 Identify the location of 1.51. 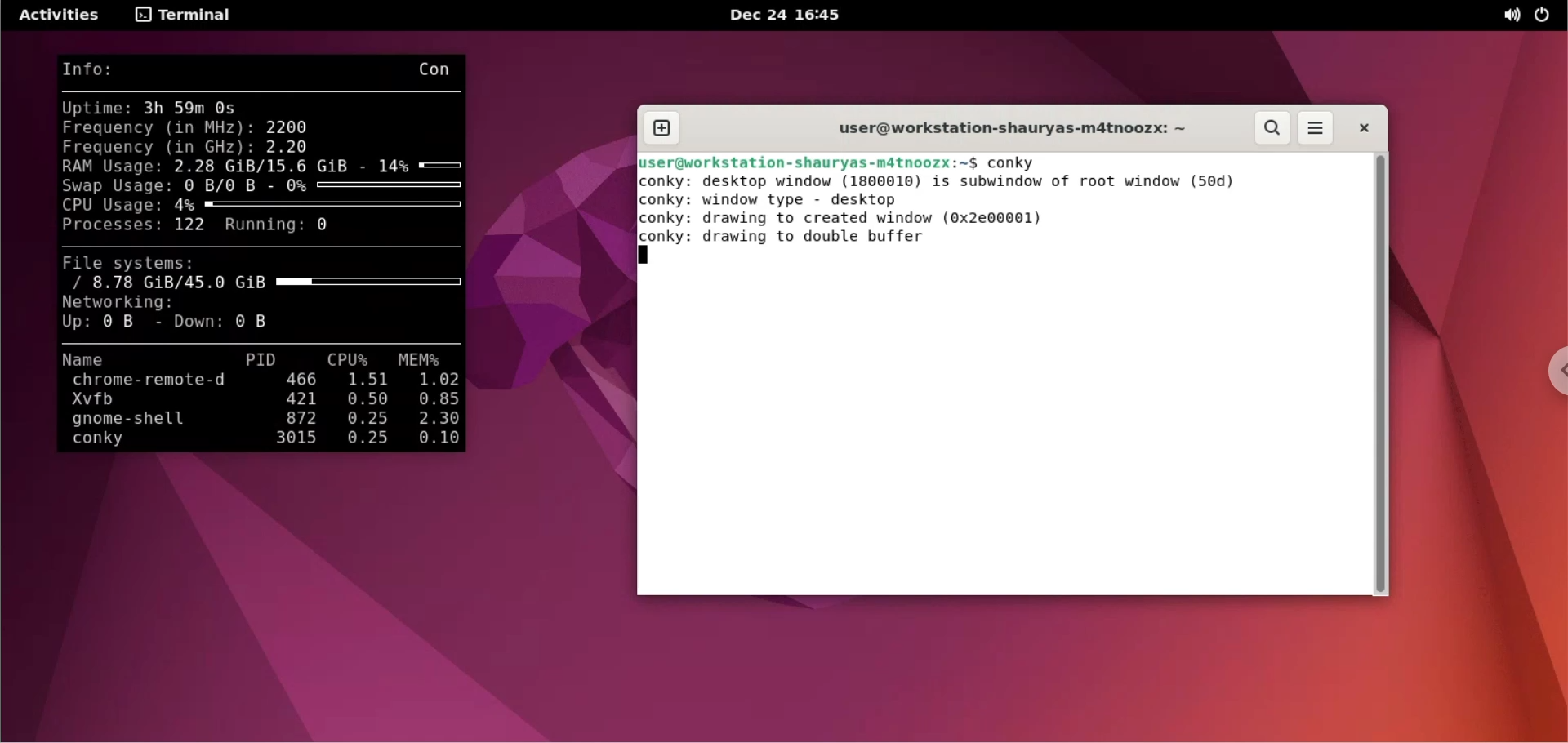
(365, 380).